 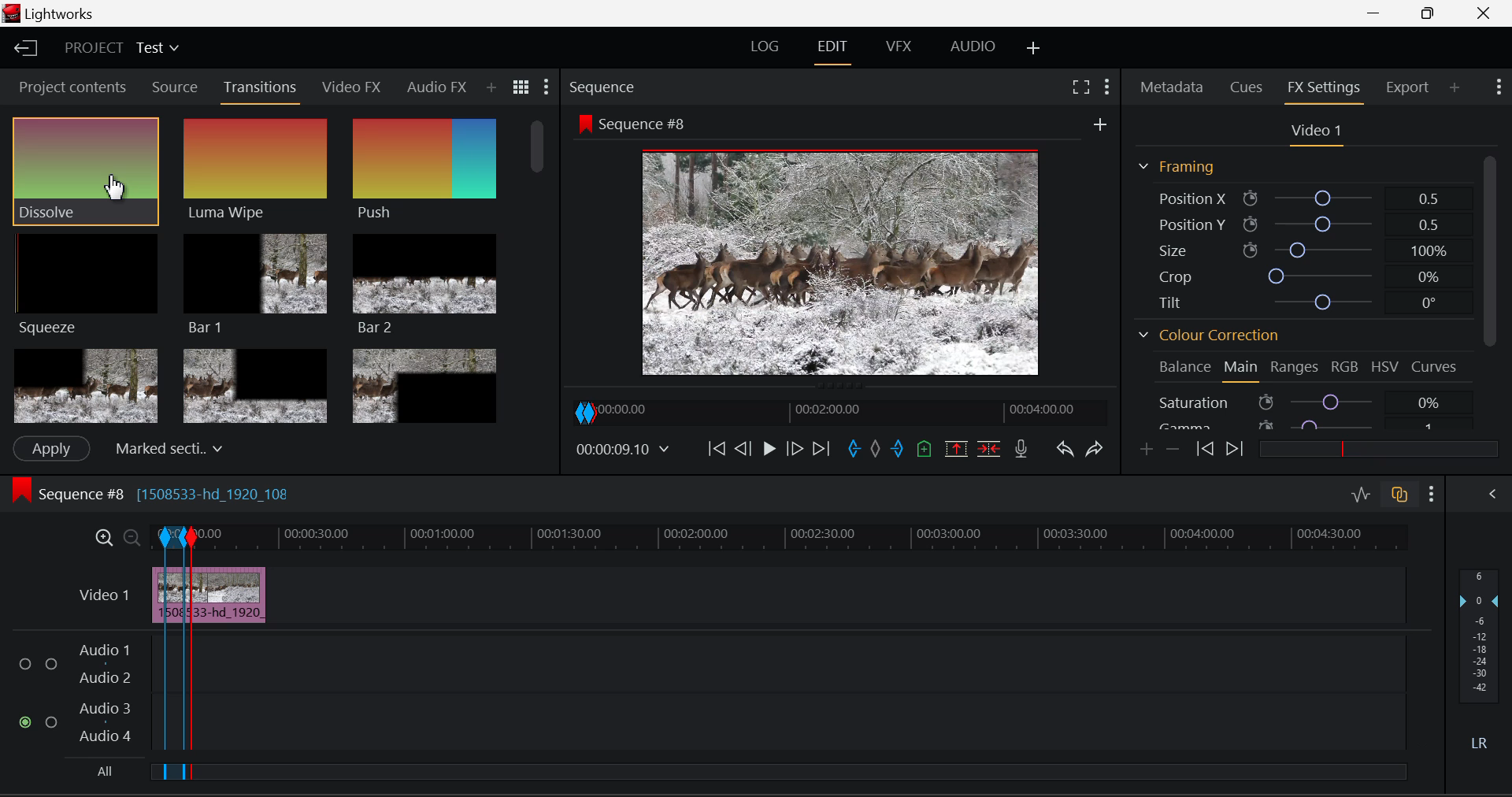 I want to click on Audio Layout, so click(x=969, y=50).